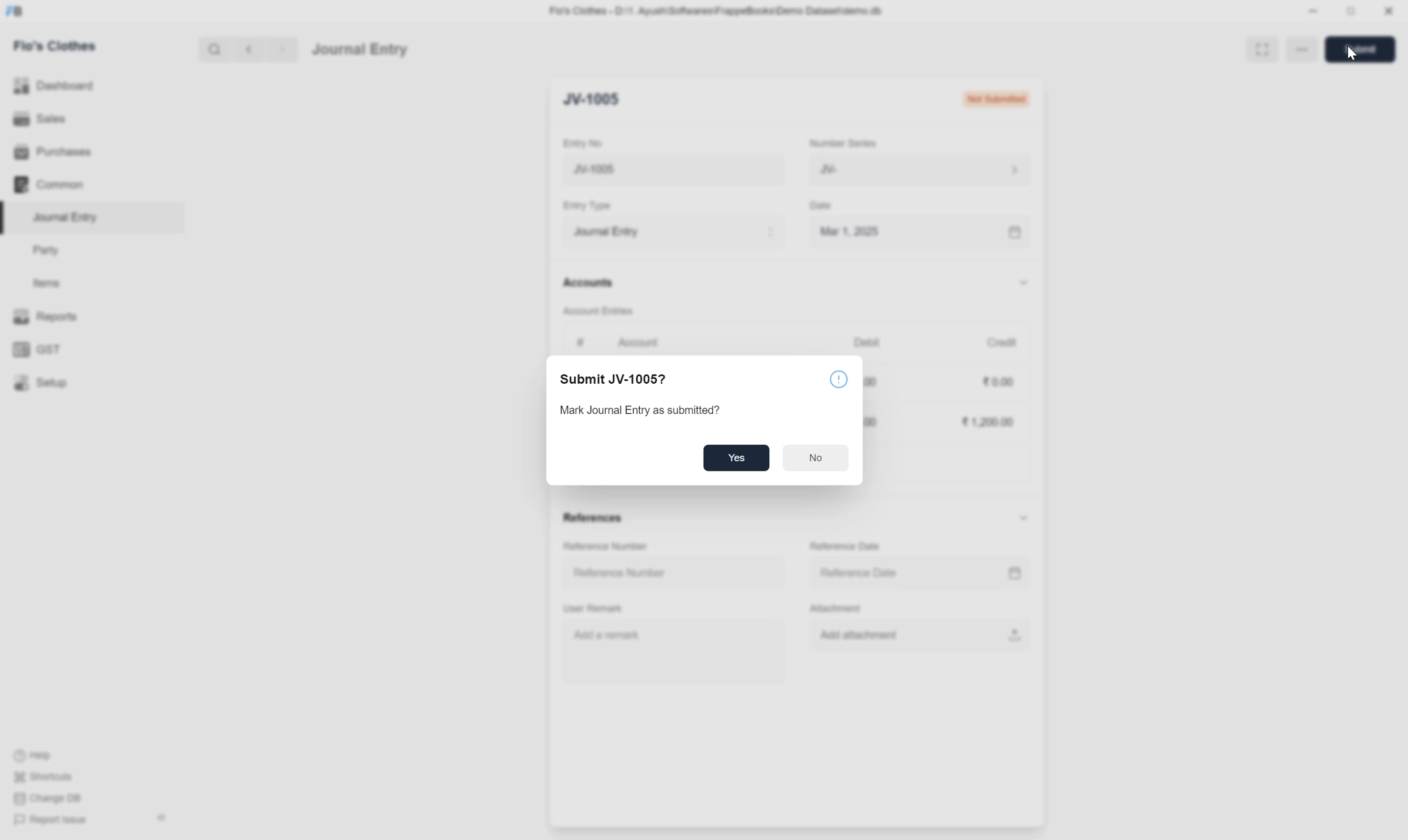  Describe the element at coordinates (56, 152) in the screenshot. I see `Purchases` at that location.